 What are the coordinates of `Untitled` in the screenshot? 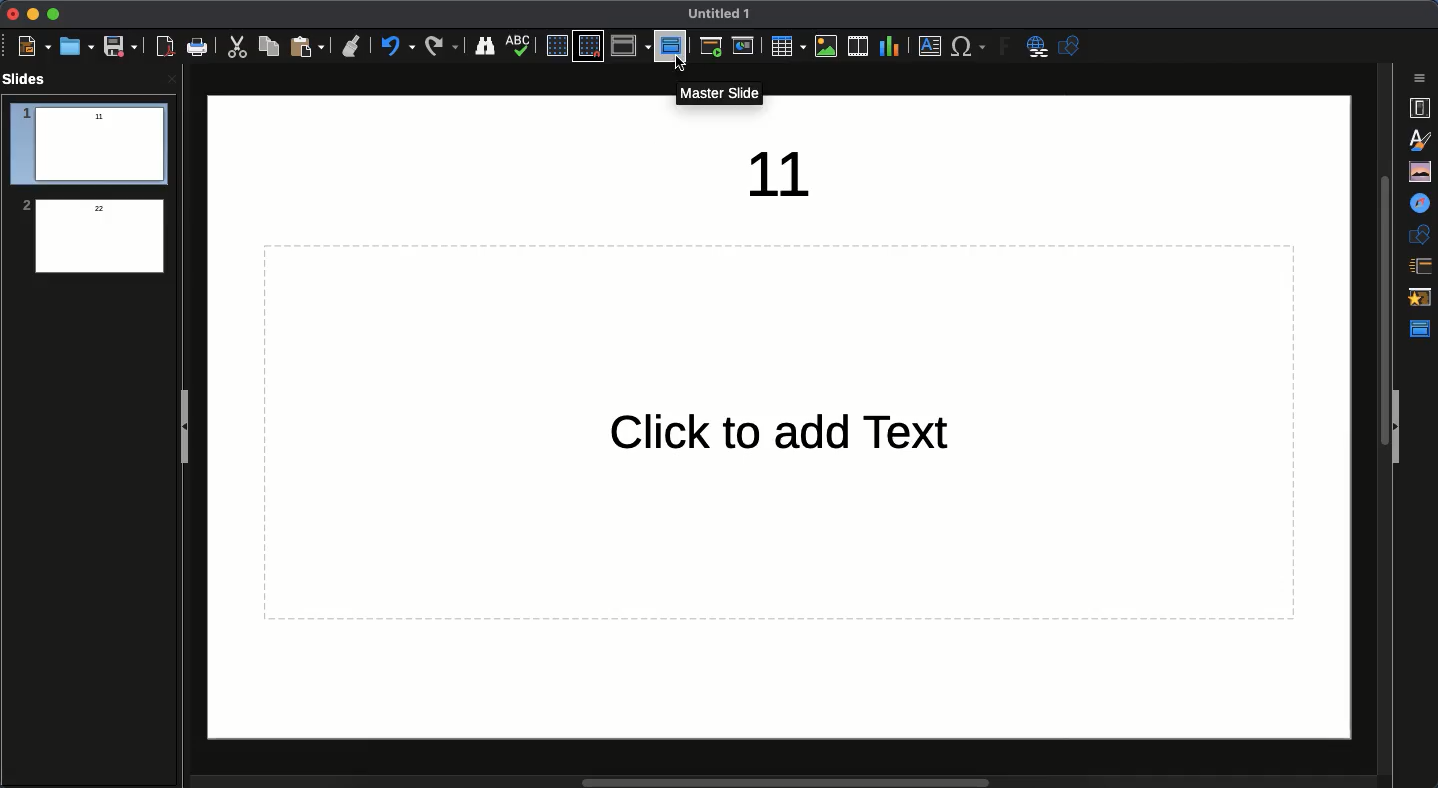 It's located at (720, 14).